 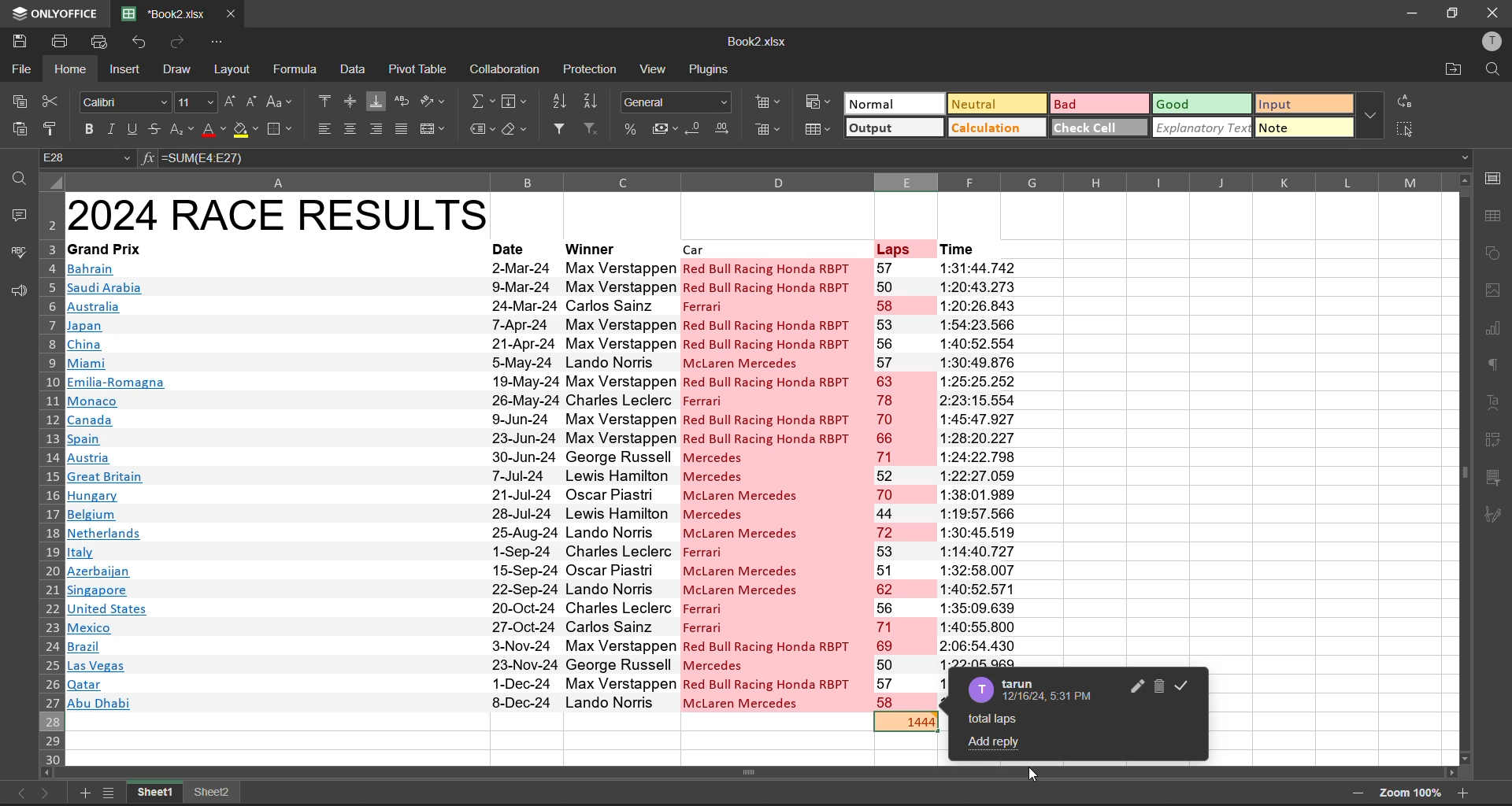 What do you see at coordinates (817, 159) in the screenshot?
I see `formula bar` at bounding box center [817, 159].